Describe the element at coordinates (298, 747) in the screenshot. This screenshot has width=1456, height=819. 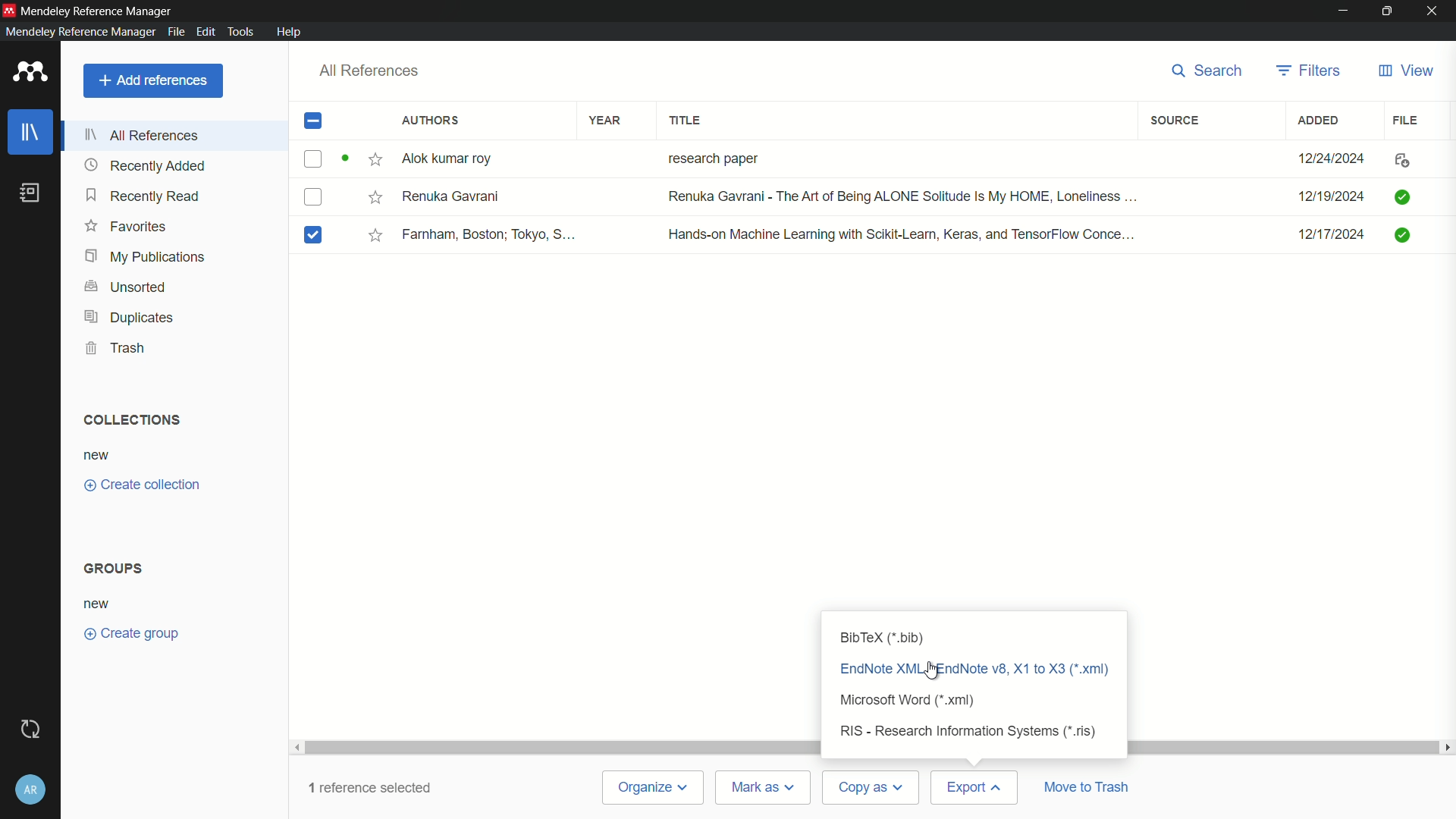
I see `scroll left` at that location.